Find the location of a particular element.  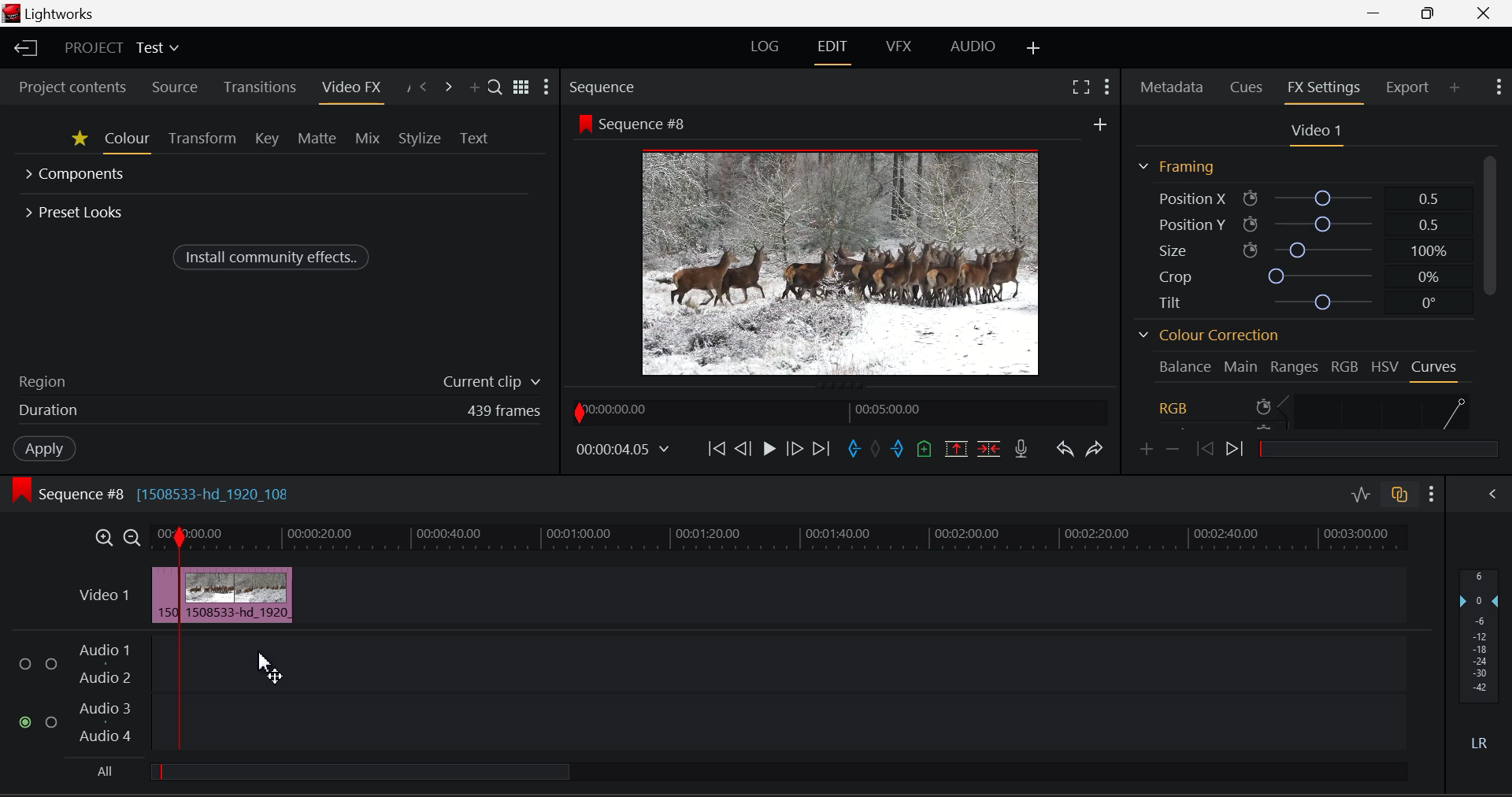

Favorites is located at coordinates (79, 141).